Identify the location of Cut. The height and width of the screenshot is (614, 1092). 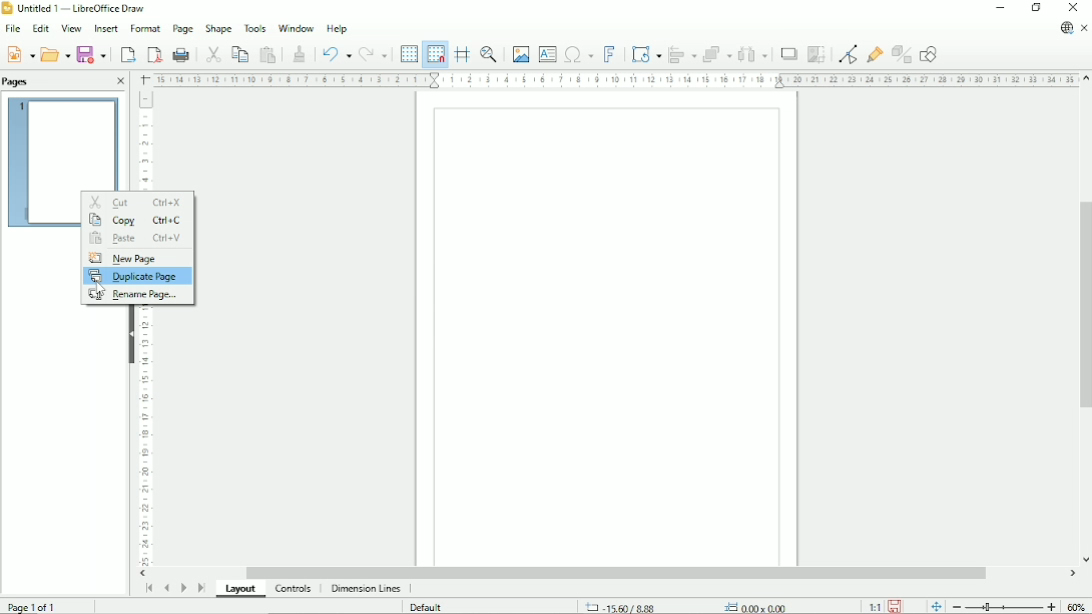
(136, 200).